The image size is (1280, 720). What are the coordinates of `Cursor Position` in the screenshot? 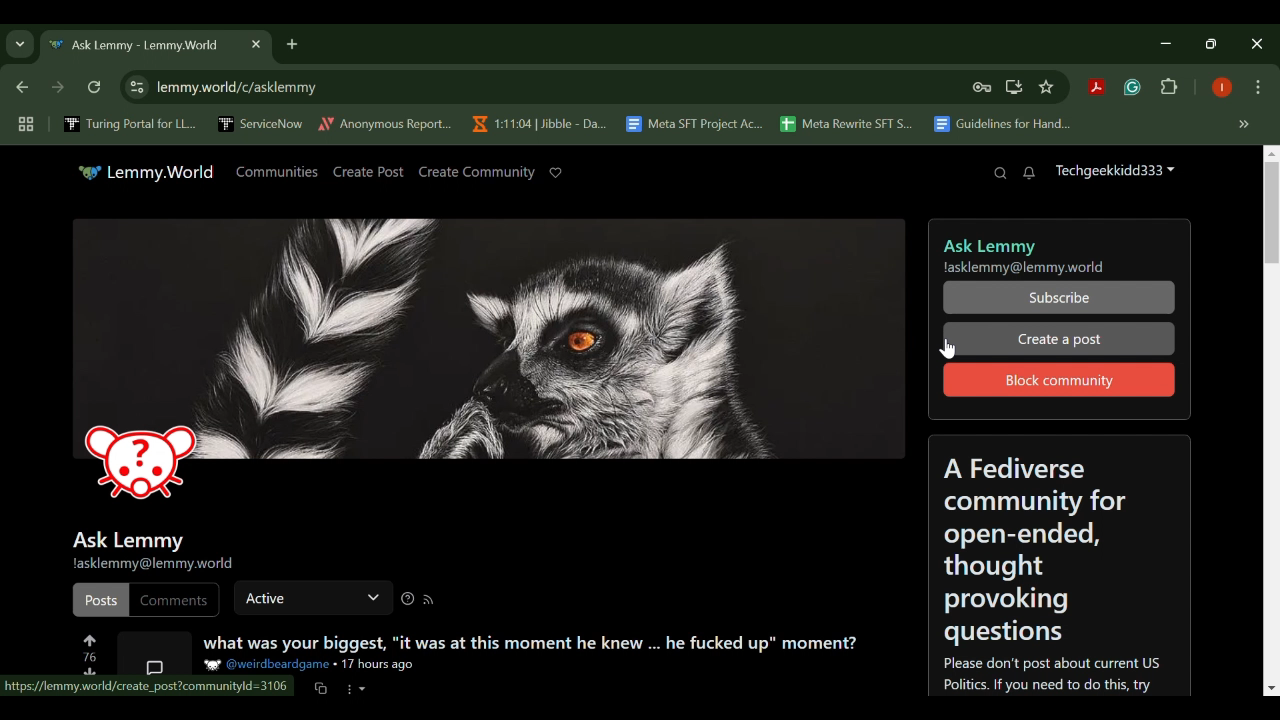 It's located at (953, 346).